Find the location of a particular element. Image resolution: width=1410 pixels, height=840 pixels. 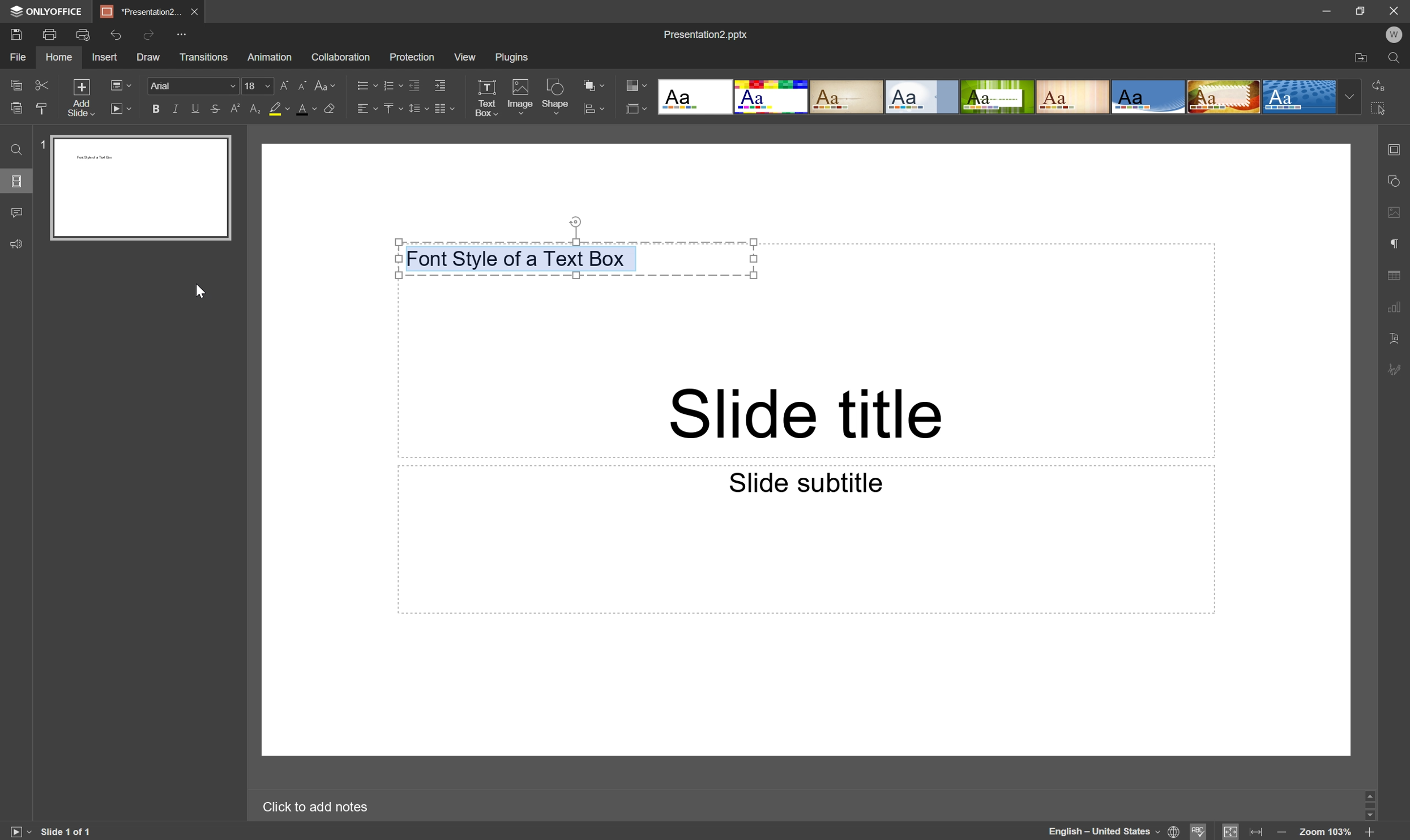

Insert is located at coordinates (107, 57).